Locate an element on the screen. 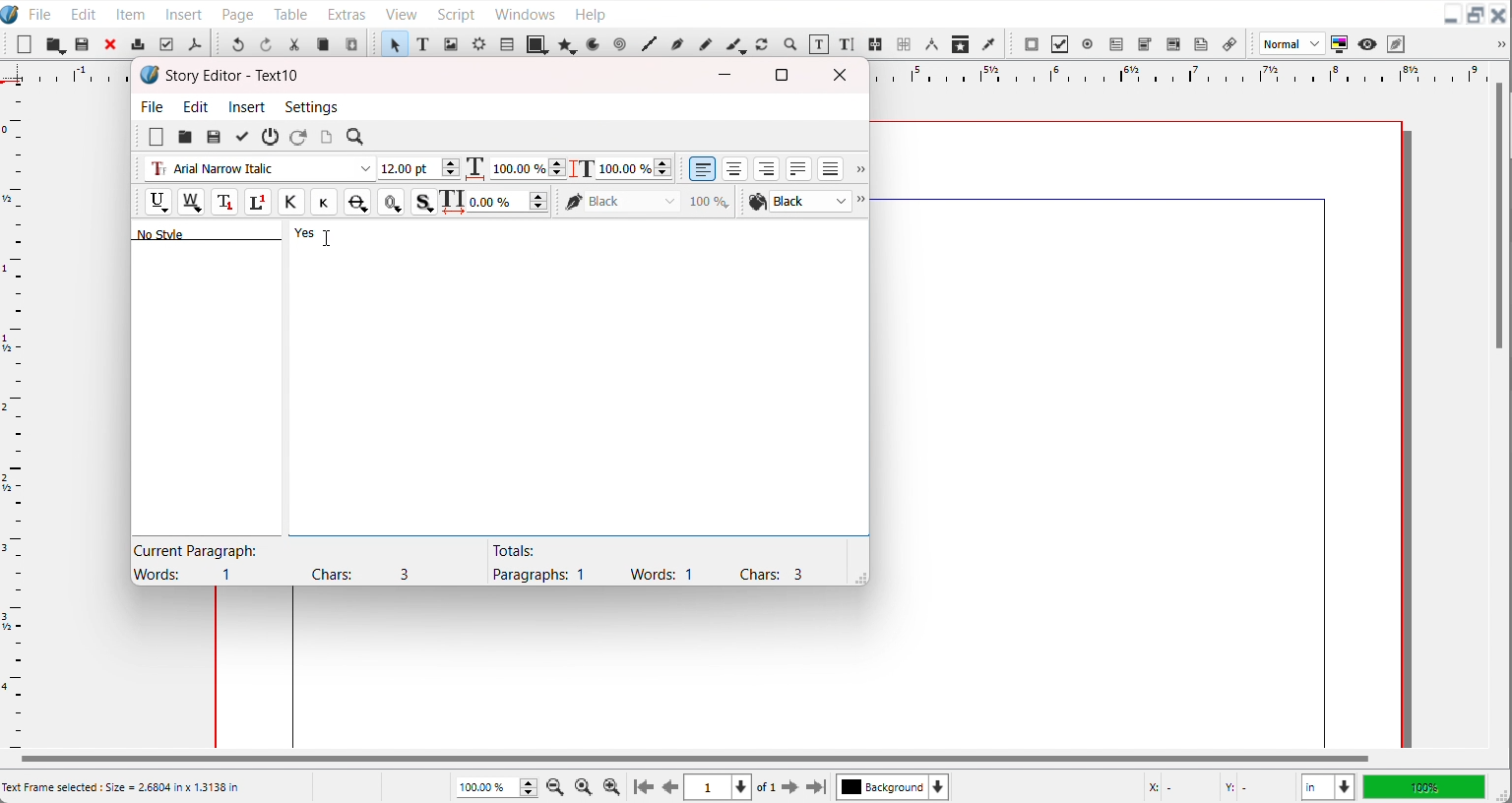 The width and height of the screenshot is (1512, 803). Font size adjuster is located at coordinates (418, 168).